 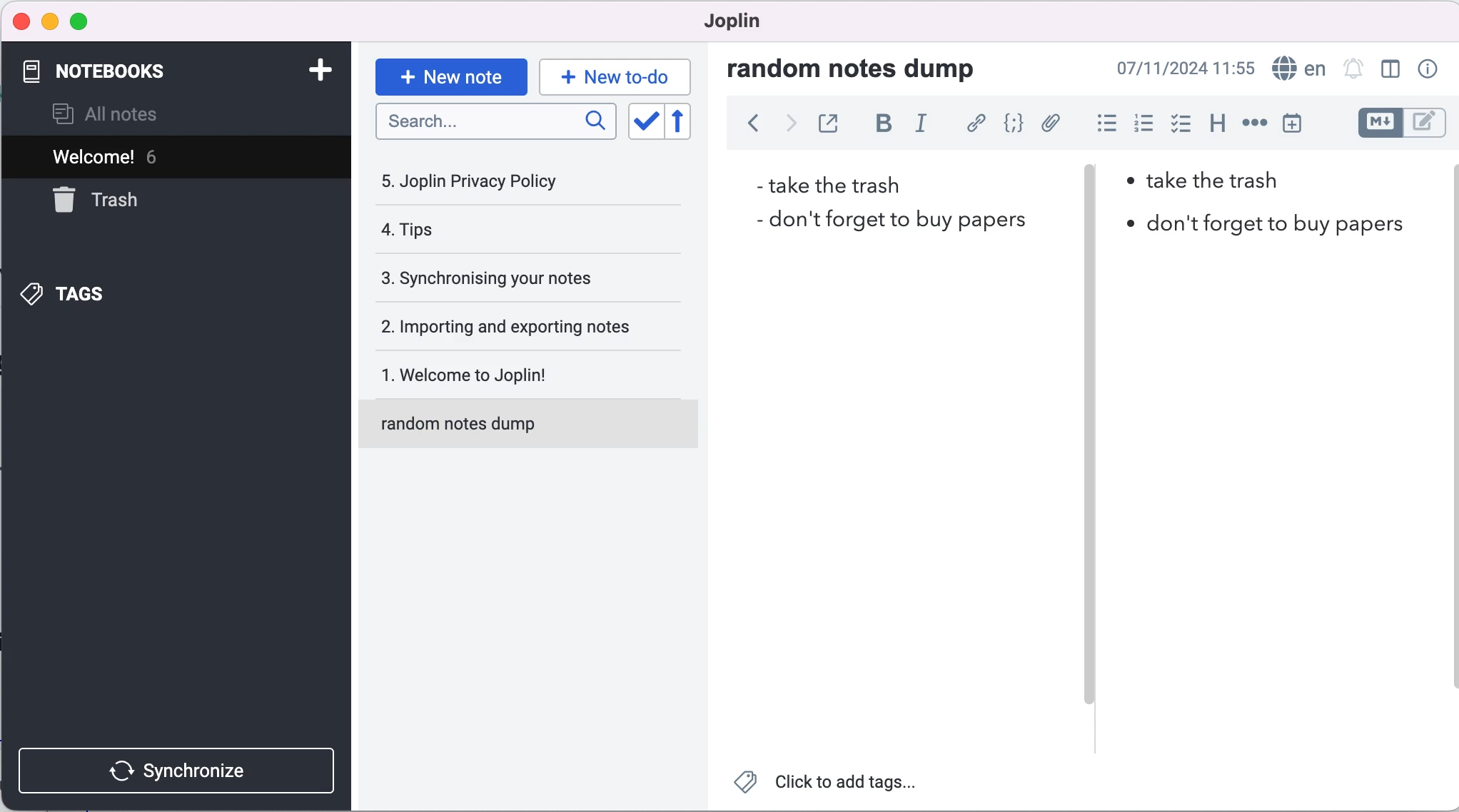 What do you see at coordinates (1091, 200) in the screenshot?
I see `vertical slider` at bounding box center [1091, 200].